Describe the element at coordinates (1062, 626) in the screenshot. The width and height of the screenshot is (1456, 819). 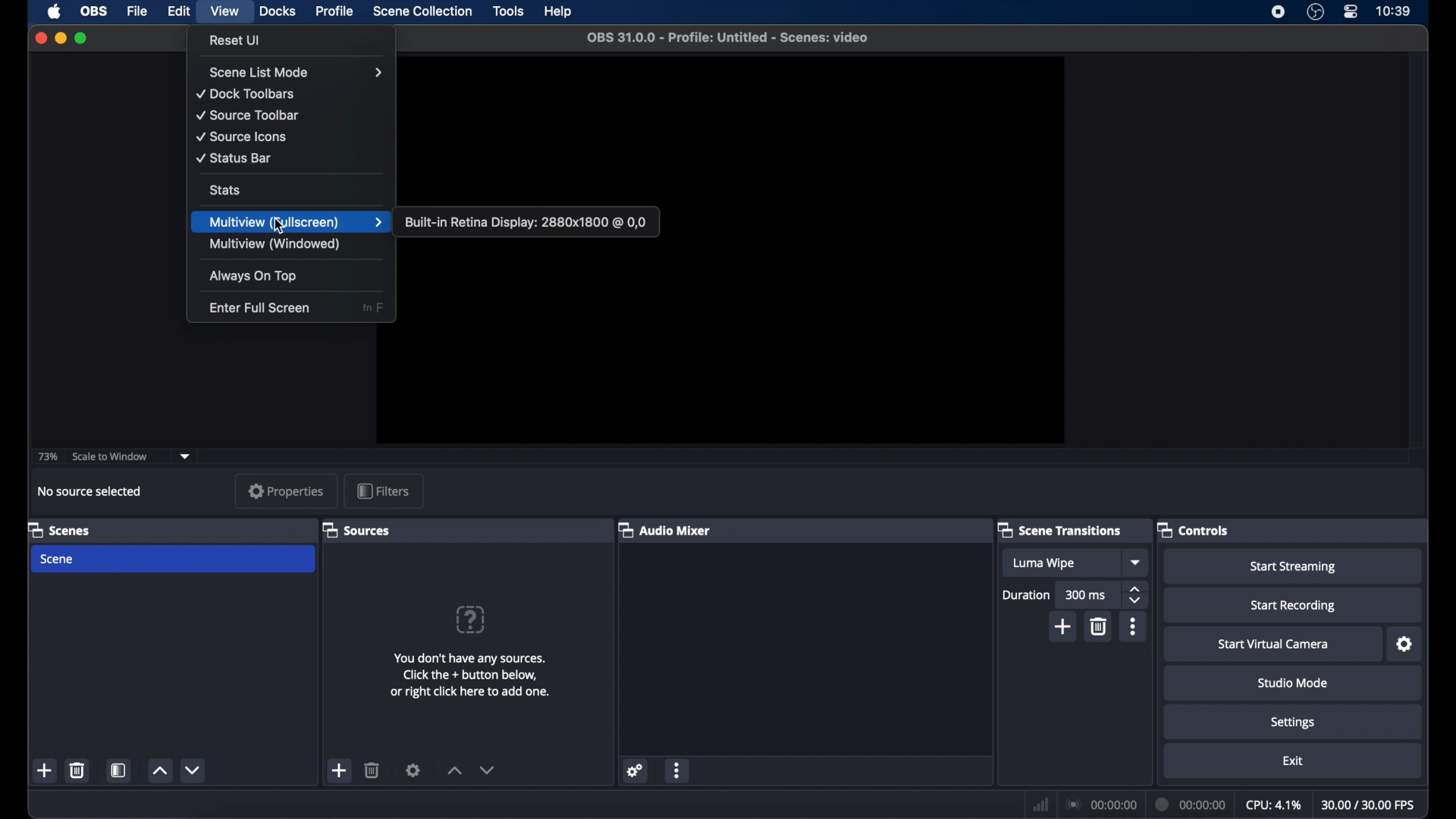
I see `add` at that location.